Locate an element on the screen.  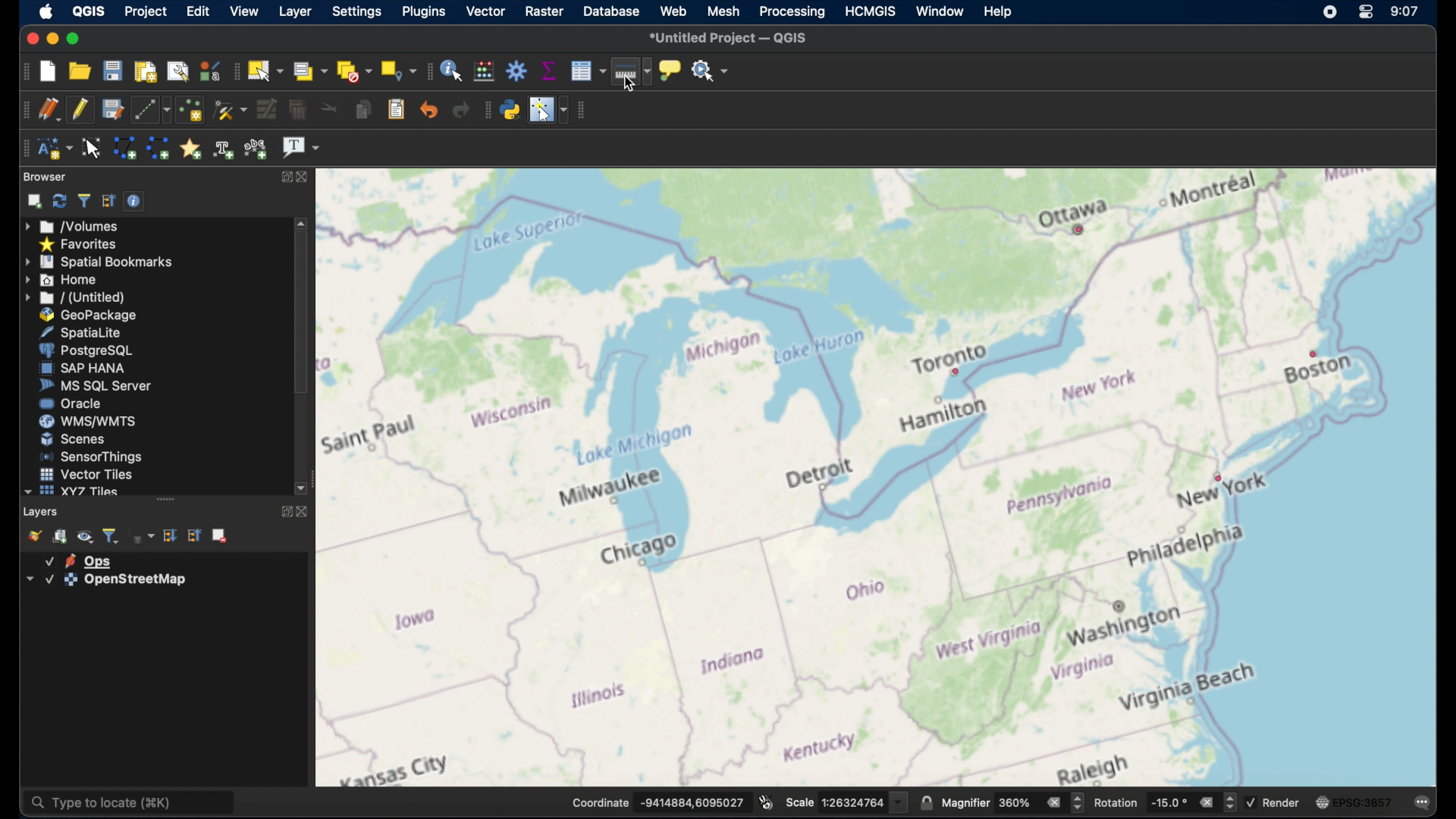
python console is located at coordinates (510, 108).